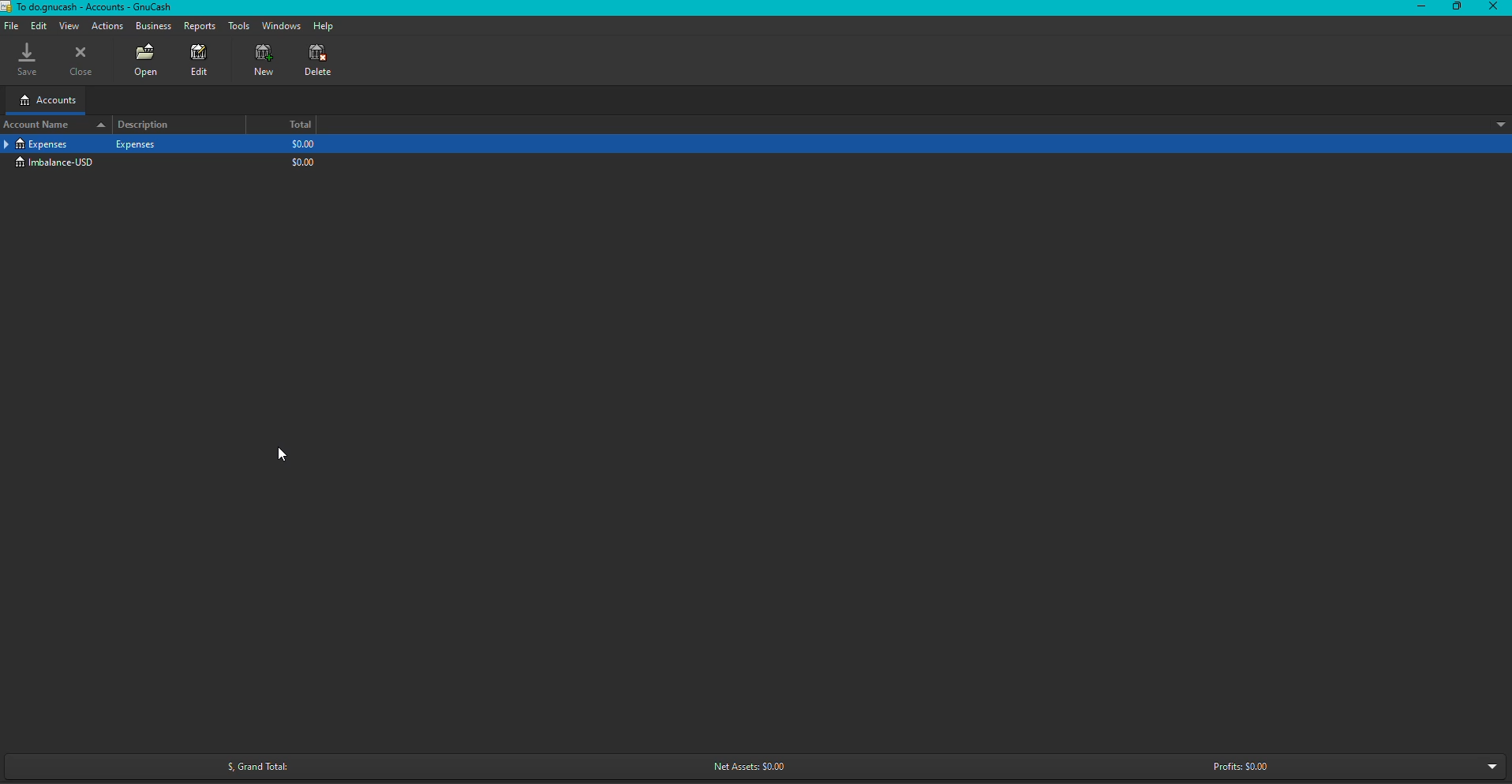 This screenshot has height=784, width=1512. Describe the element at coordinates (1488, 767) in the screenshot. I see `more options` at that location.